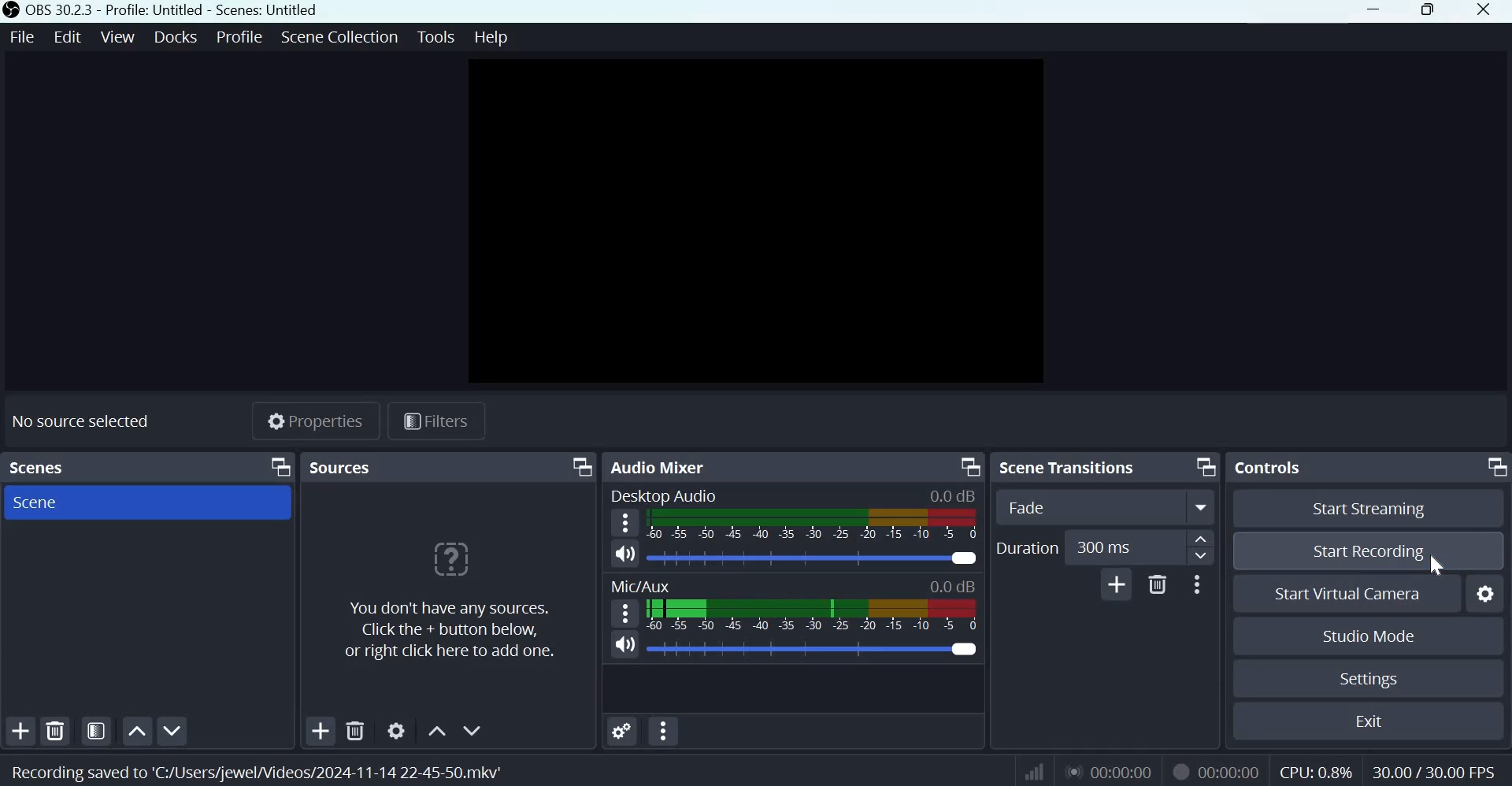 This screenshot has height=786, width=1512. Describe the element at coordinates (439, 732) in the screenshot. I see `Move source(s) up` at that location.